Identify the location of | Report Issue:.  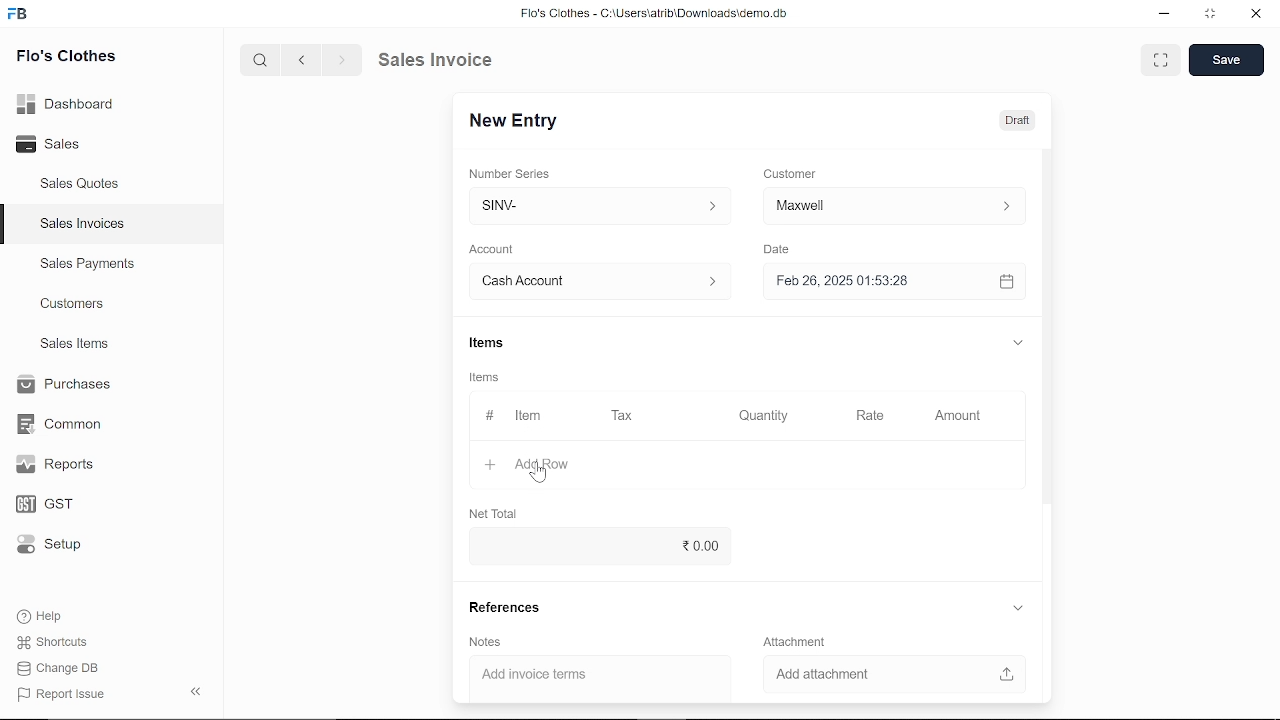
(64, 694).